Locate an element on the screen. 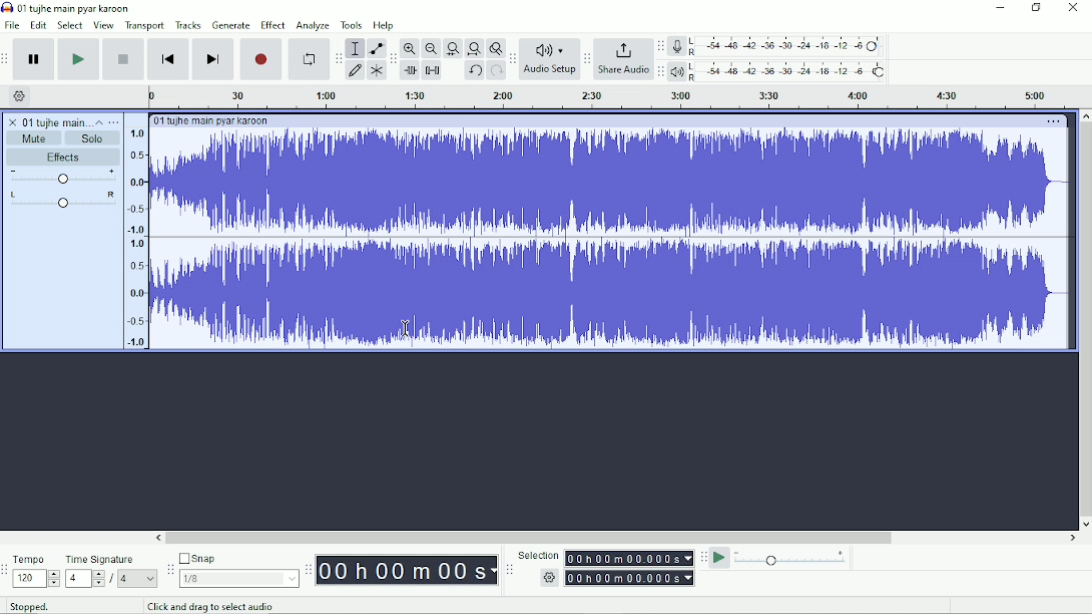  Share Audio is located at coordinates (624, 60).